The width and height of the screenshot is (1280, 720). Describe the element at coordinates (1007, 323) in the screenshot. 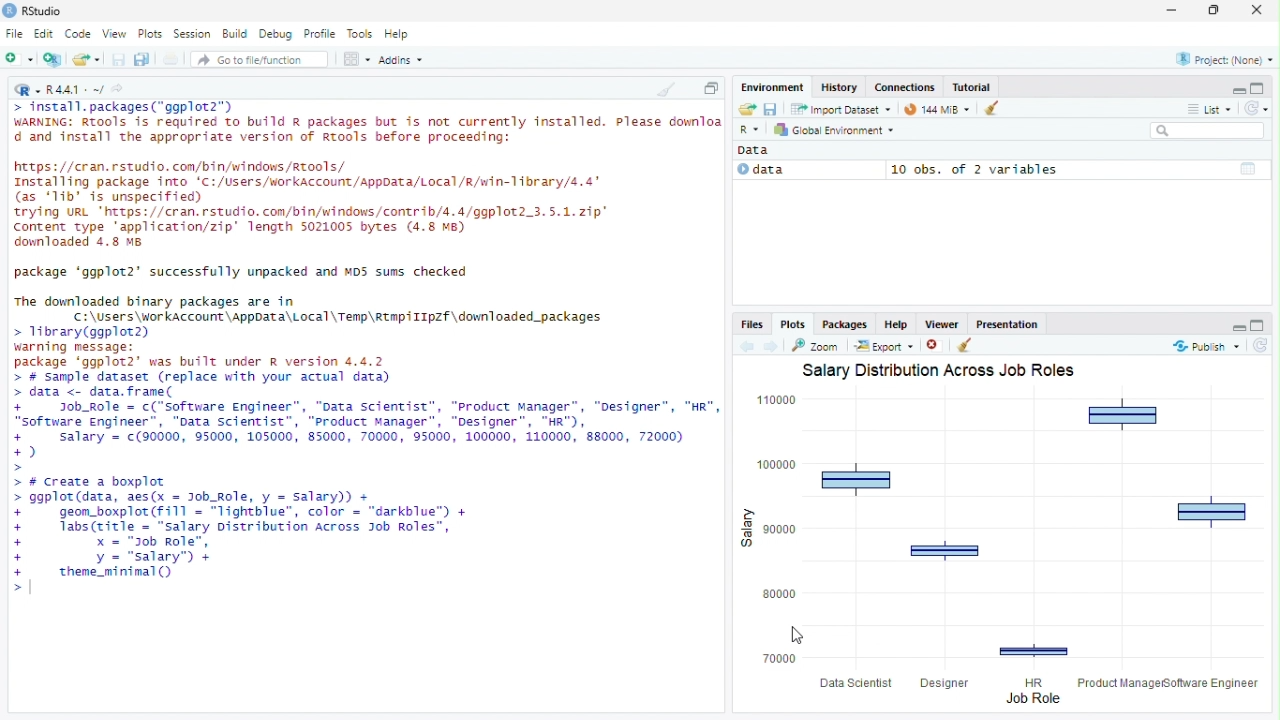

I see `Presentation` at that location.